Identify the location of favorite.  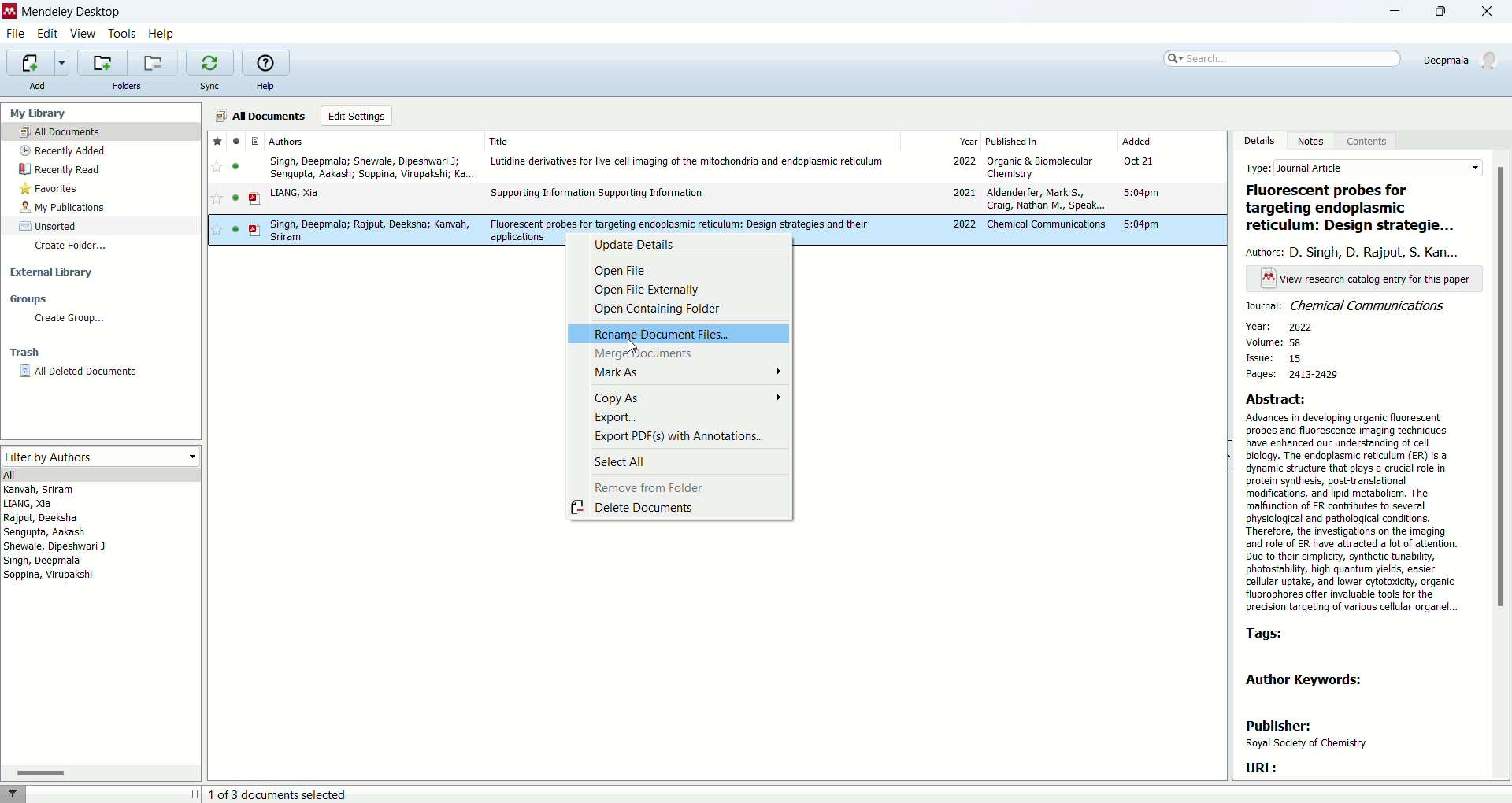
(217, 168).